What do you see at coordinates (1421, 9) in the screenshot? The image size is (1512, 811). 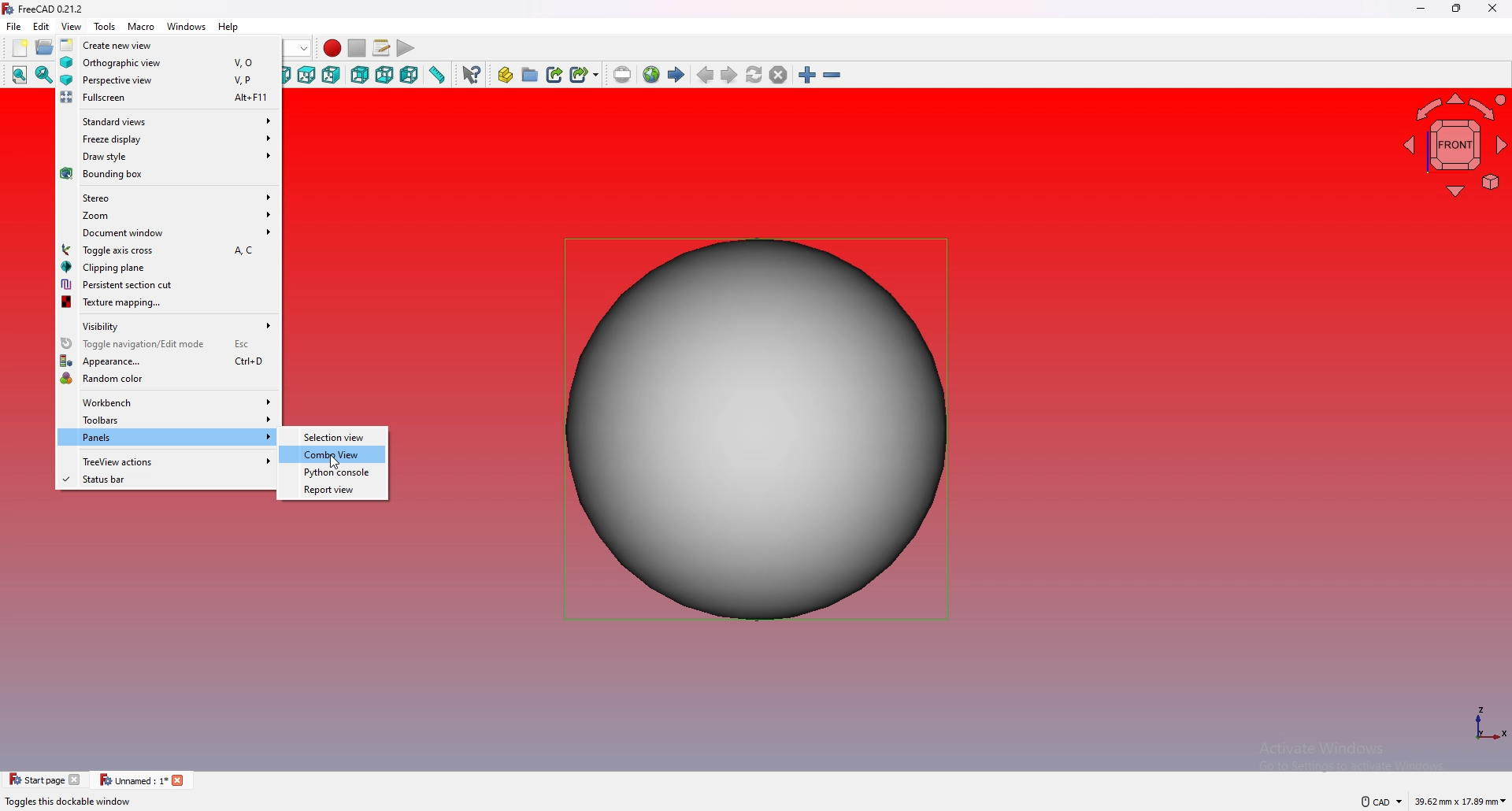 I see `minimize` at bounding box center [1421, 9].